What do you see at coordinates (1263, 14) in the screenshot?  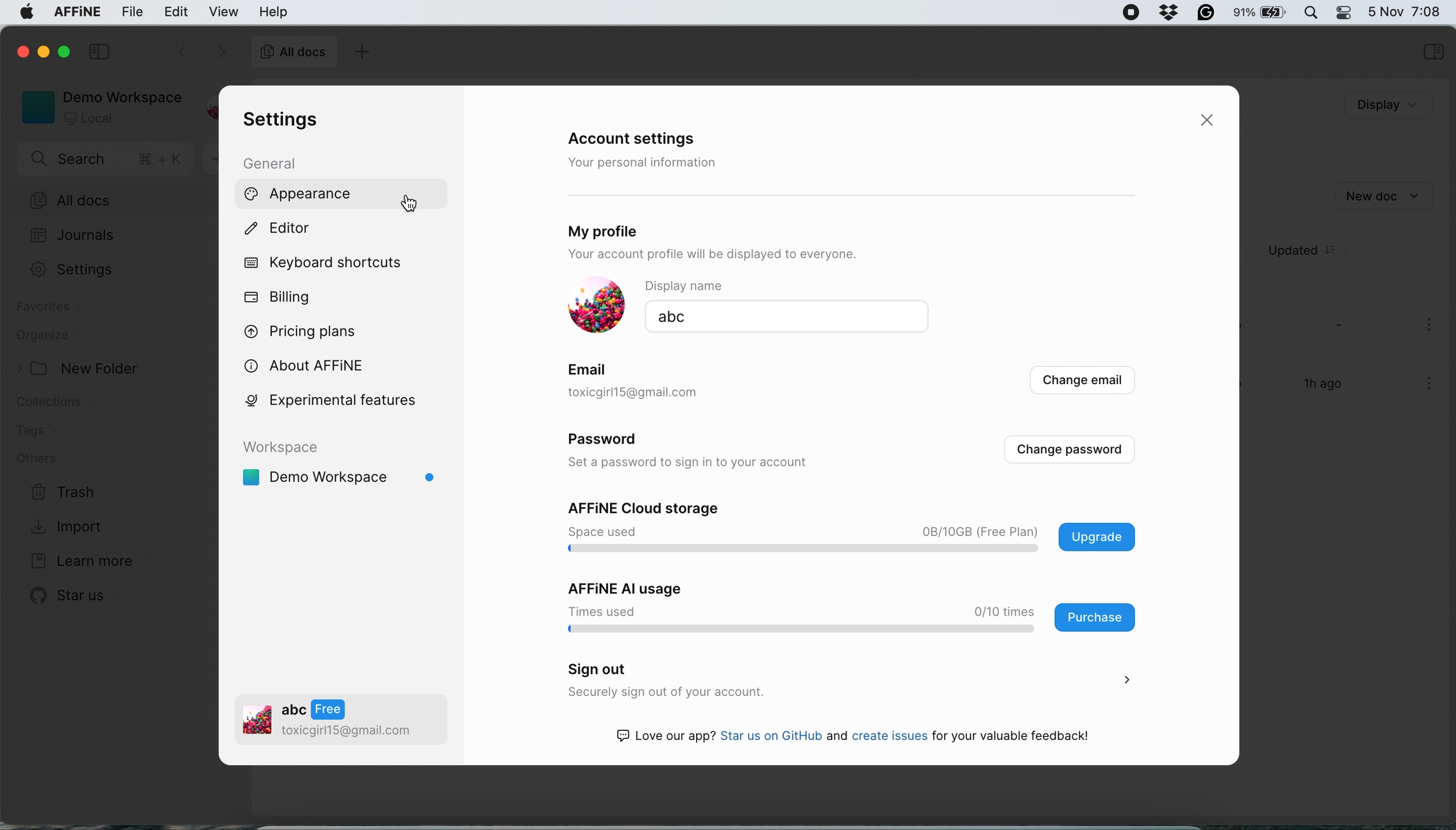 I see `battery` at bounding box center [1263, 14].